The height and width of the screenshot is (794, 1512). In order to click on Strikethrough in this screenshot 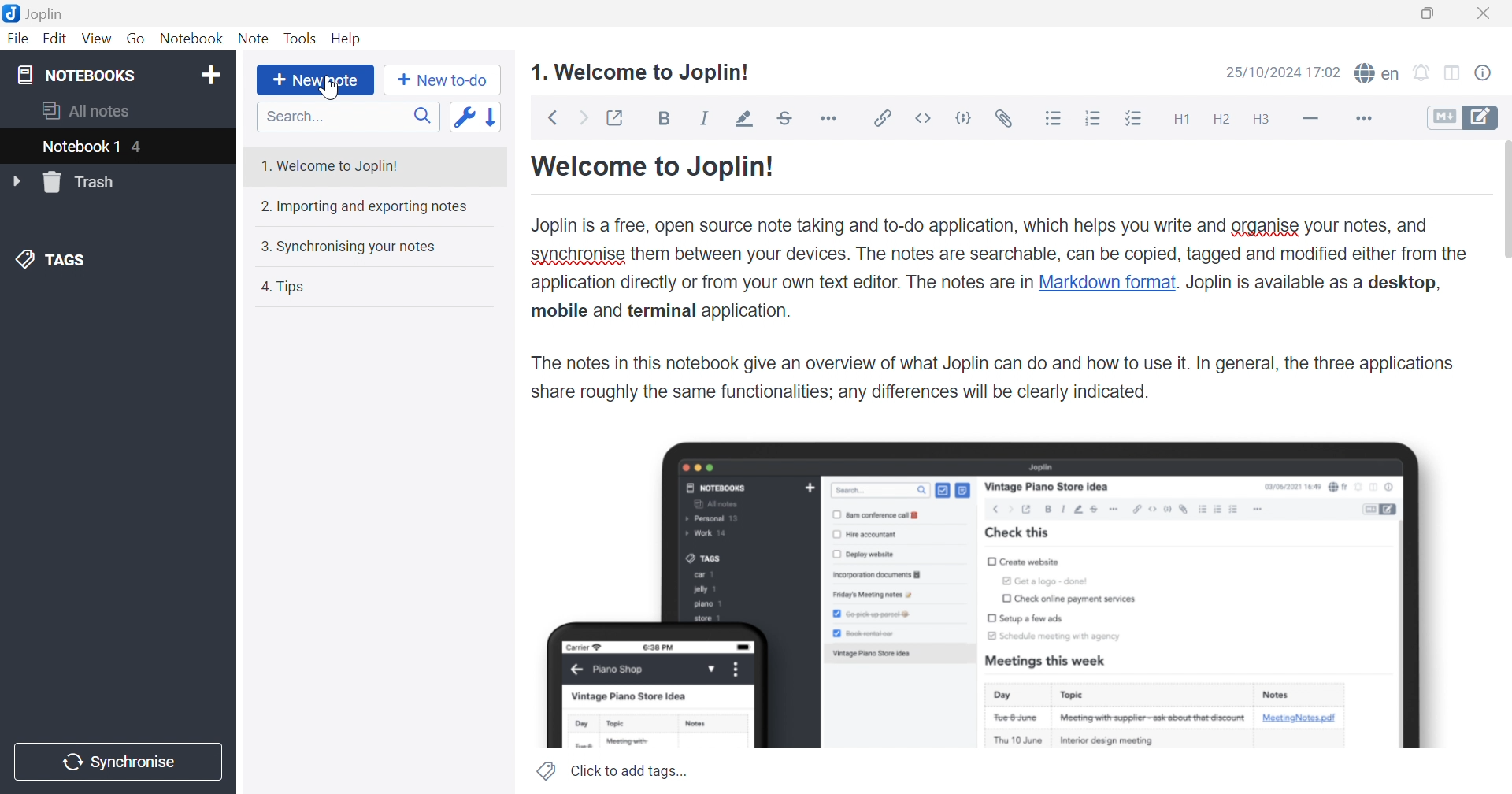, I will do `click(787, 118)`.